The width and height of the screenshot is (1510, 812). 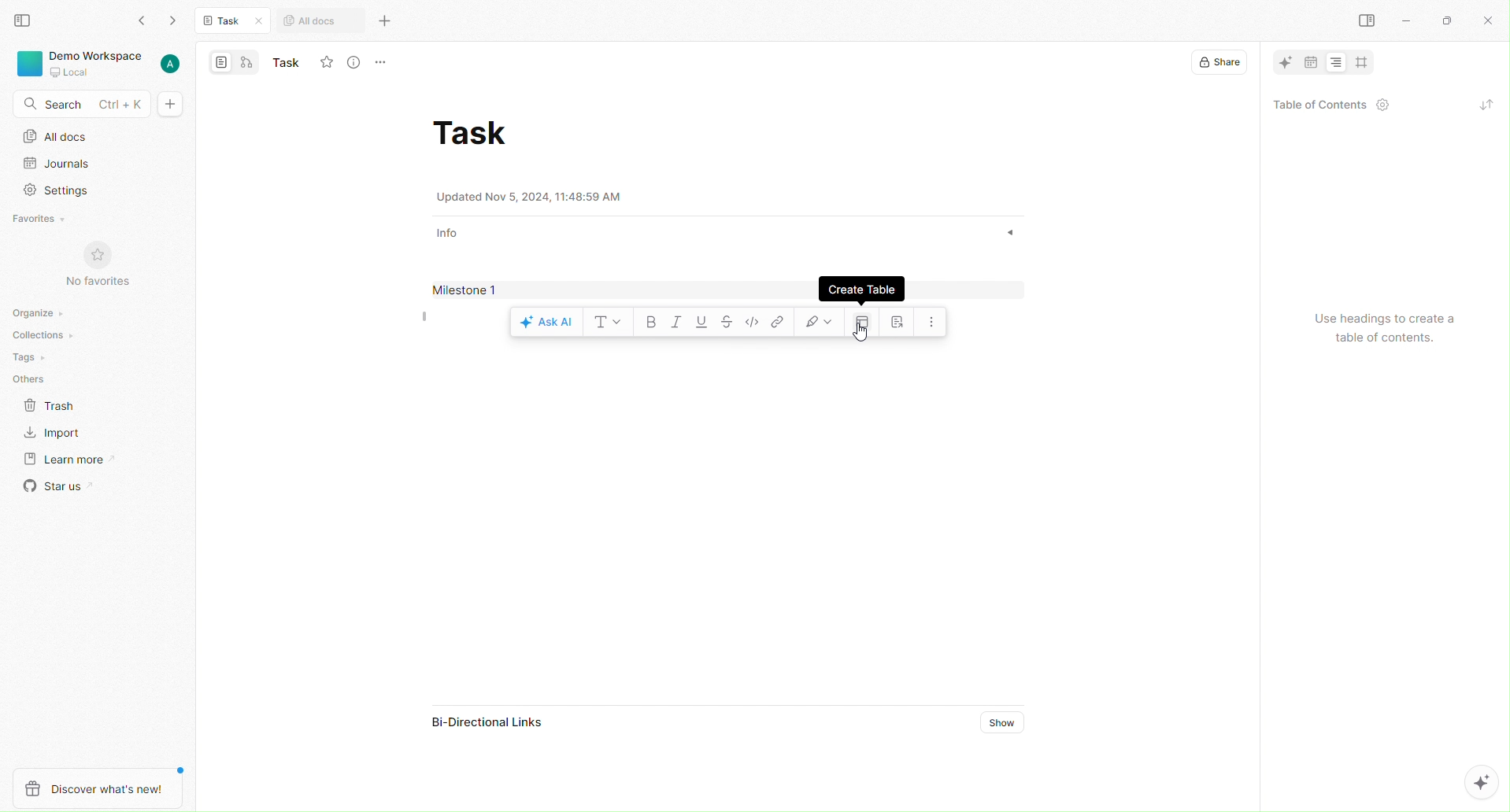 What do you see at coordinates (1408, 20) in the screenshot?
I see `minimize` at bounding box center [1408, 20].